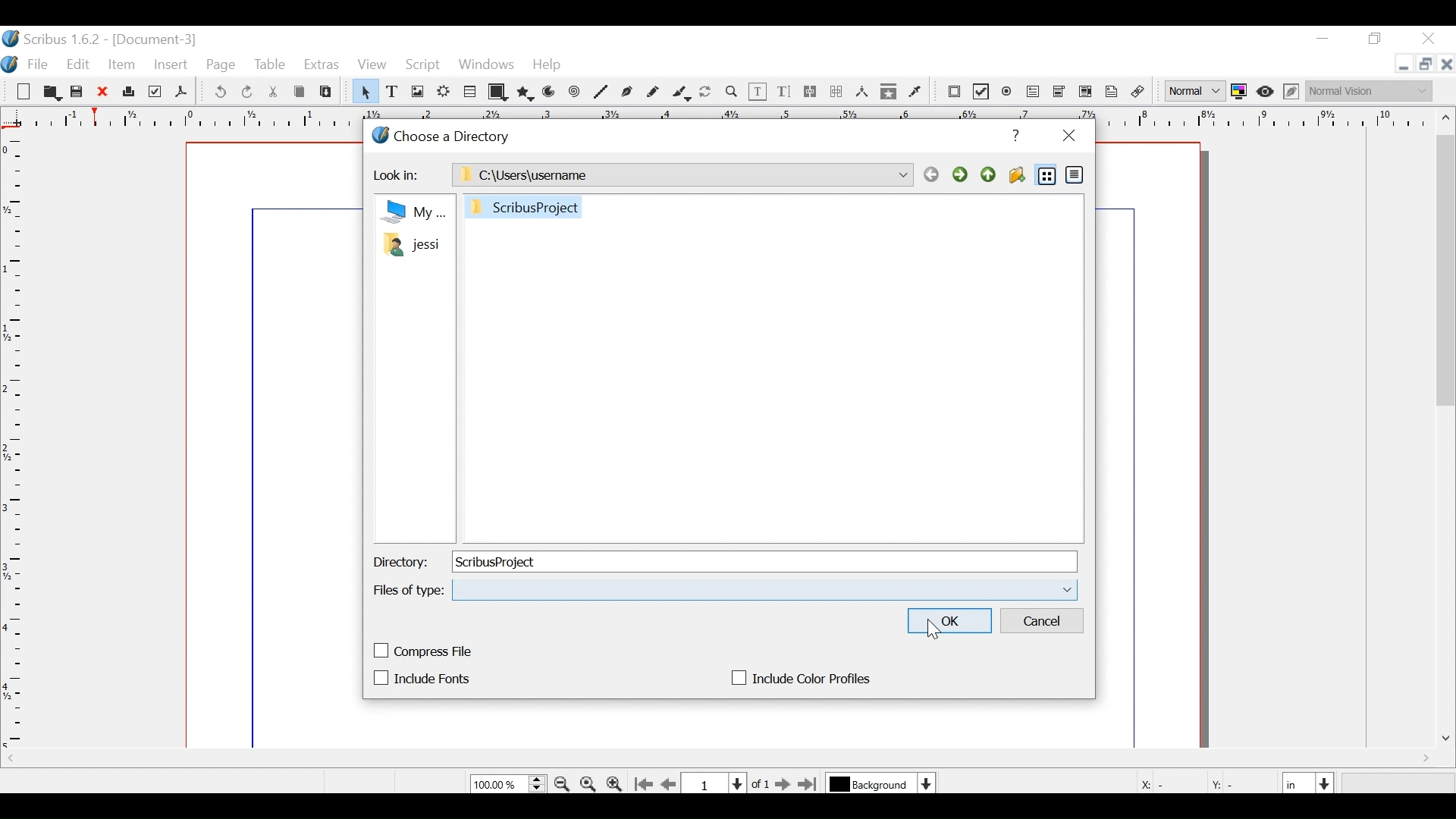 The image size is (1456, 819). What do you see at coordinates (602, 93) in the screenshot?
I see `Line` at bounding box center [602, 93].